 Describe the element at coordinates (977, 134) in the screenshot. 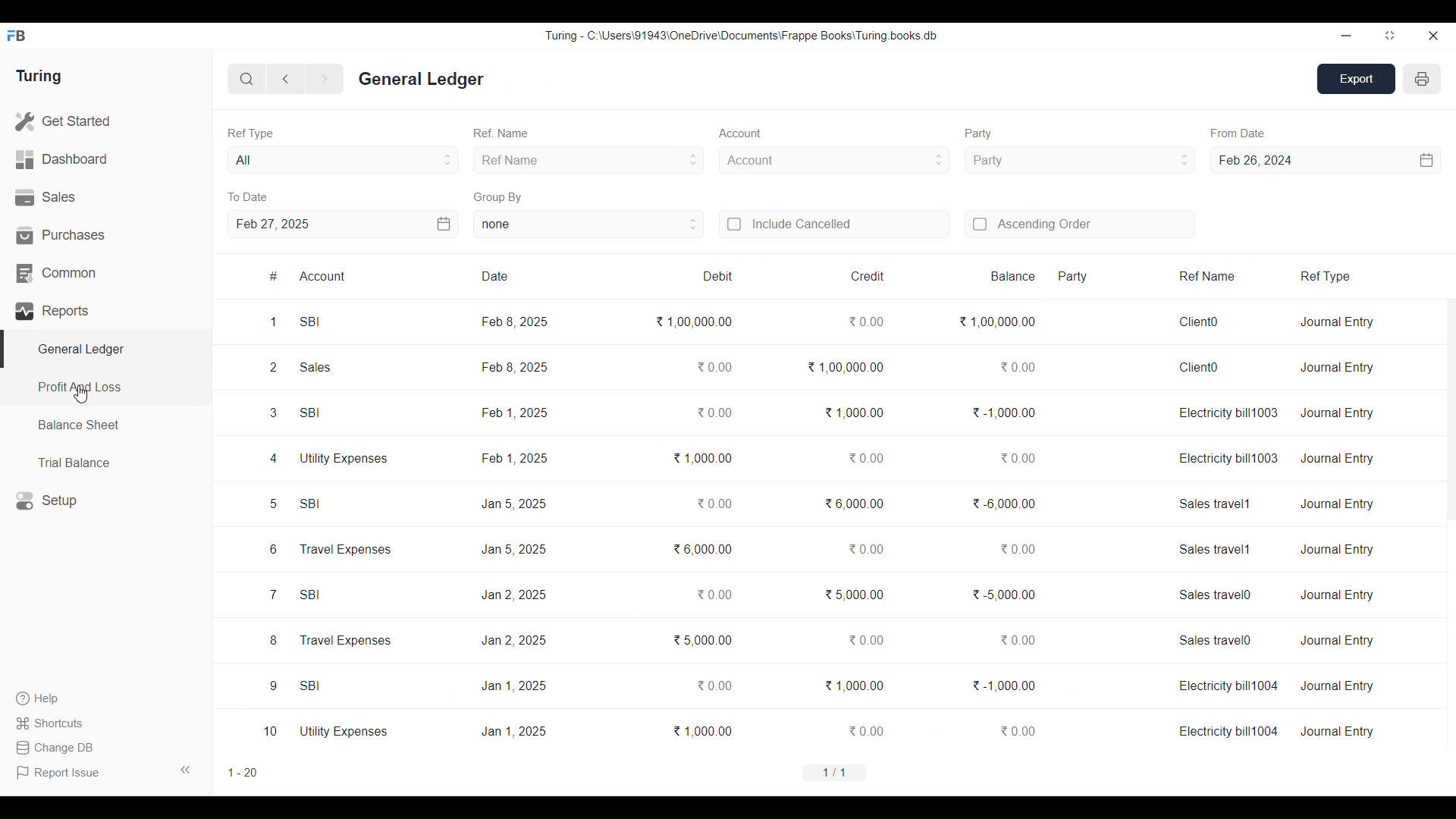

I see `Party` at that location.